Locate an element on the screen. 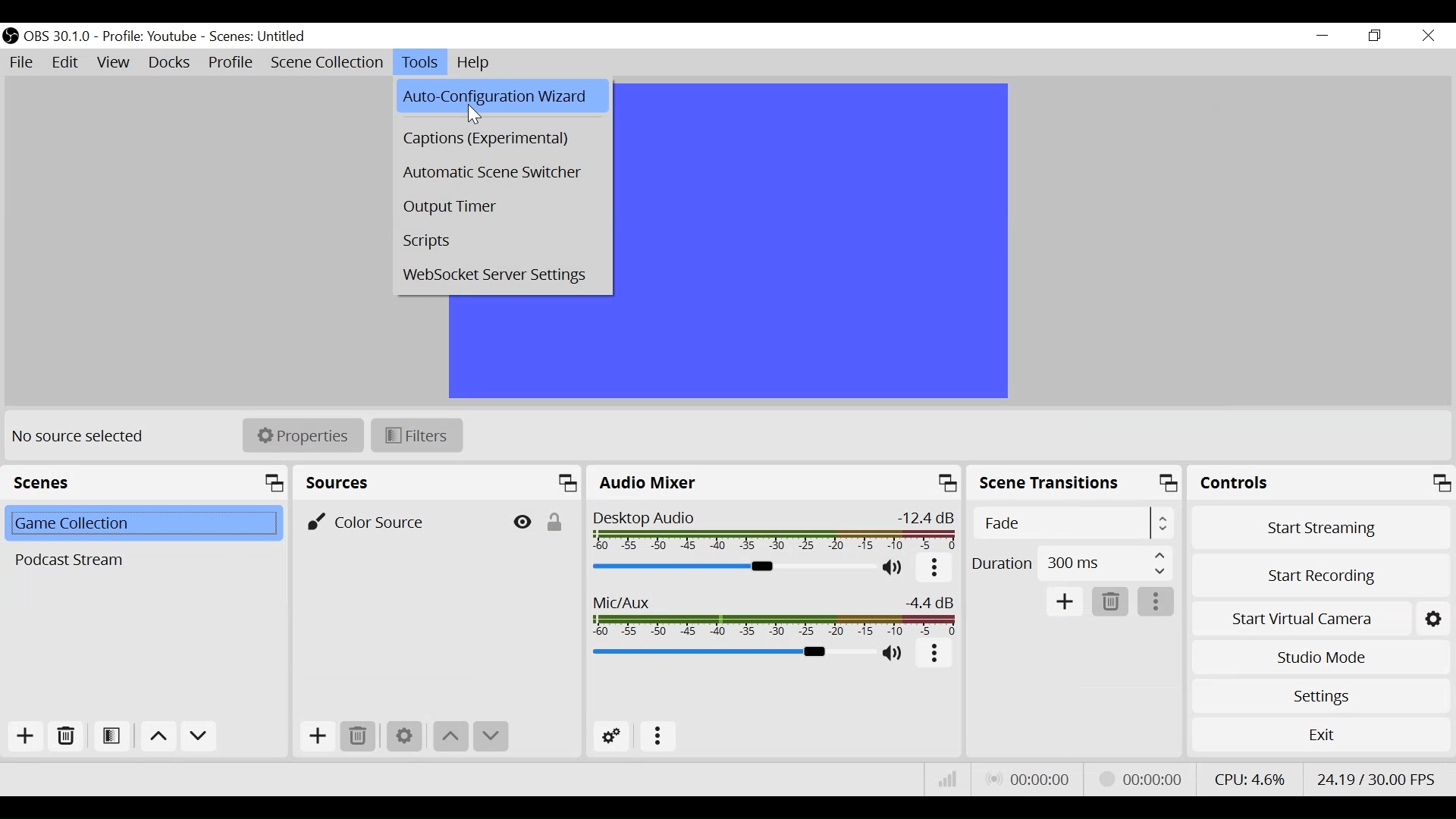  Start Streaming is located at coordinates (1317, 526).